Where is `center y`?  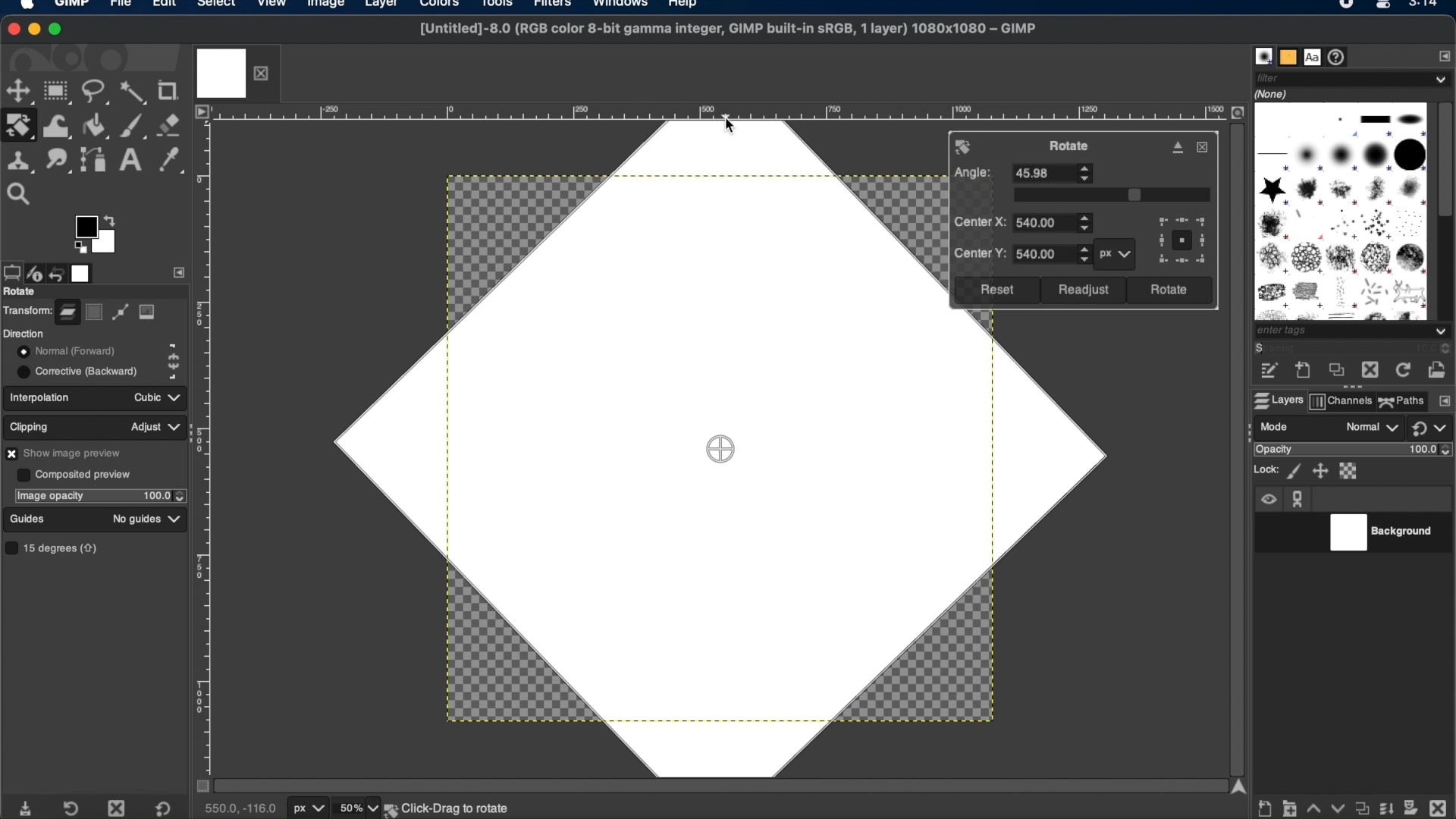
center y is located at coordinates (1020, 254).